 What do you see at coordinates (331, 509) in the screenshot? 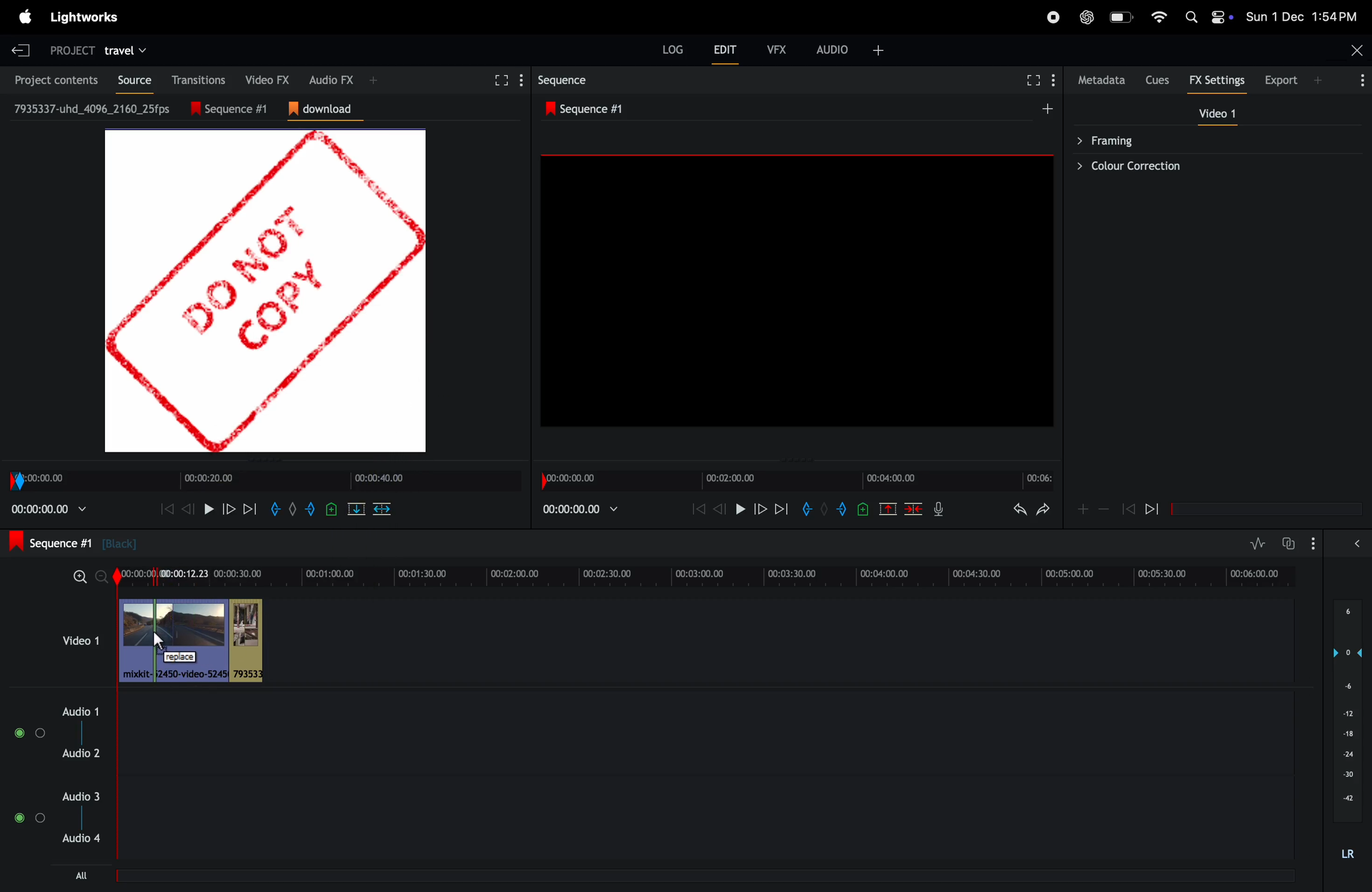
I see `add to current position` at bounding box center [331, 509].